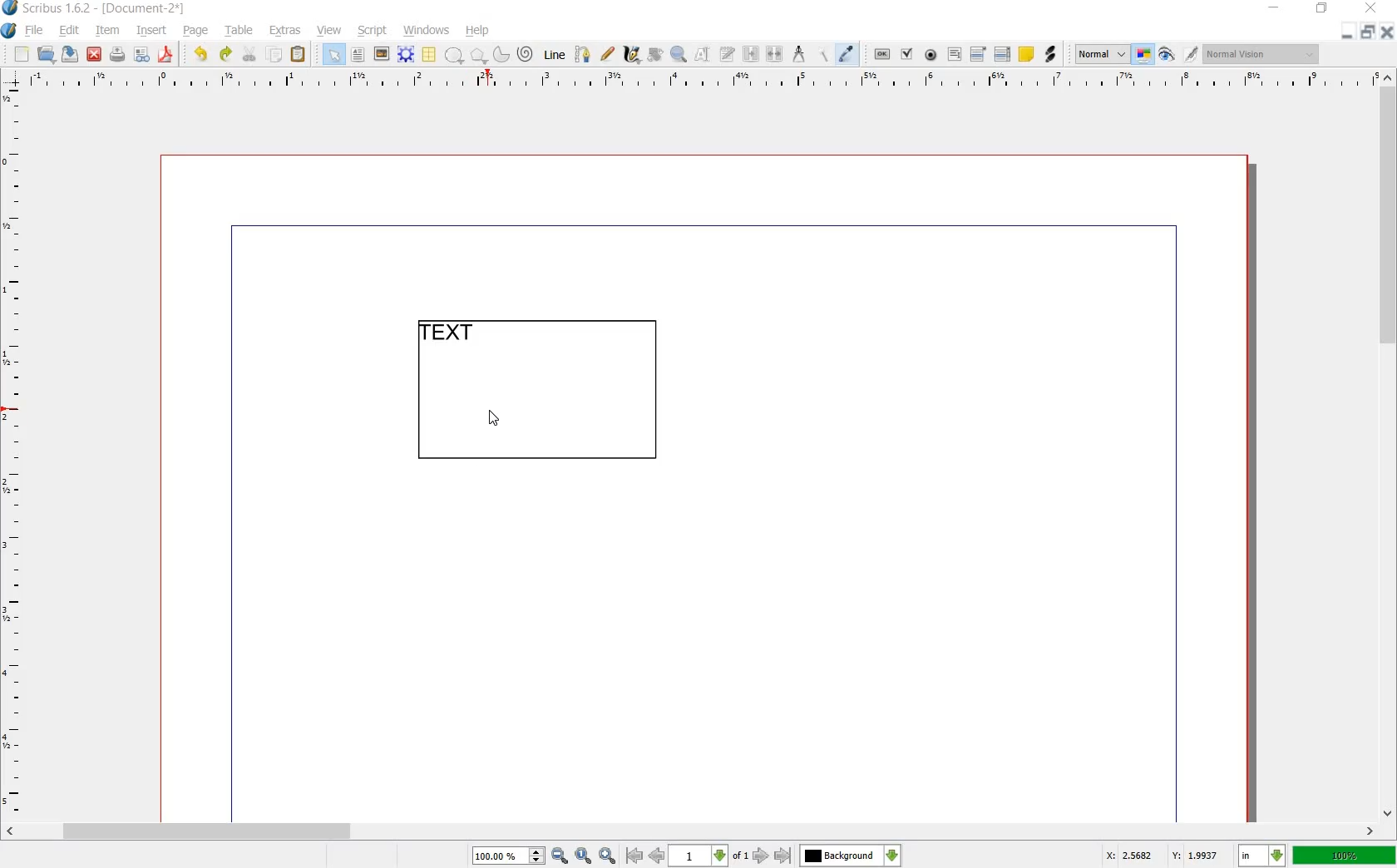  Describe the element at coordinates (526, 53) in the screenshot. I see `spiral` at that location.